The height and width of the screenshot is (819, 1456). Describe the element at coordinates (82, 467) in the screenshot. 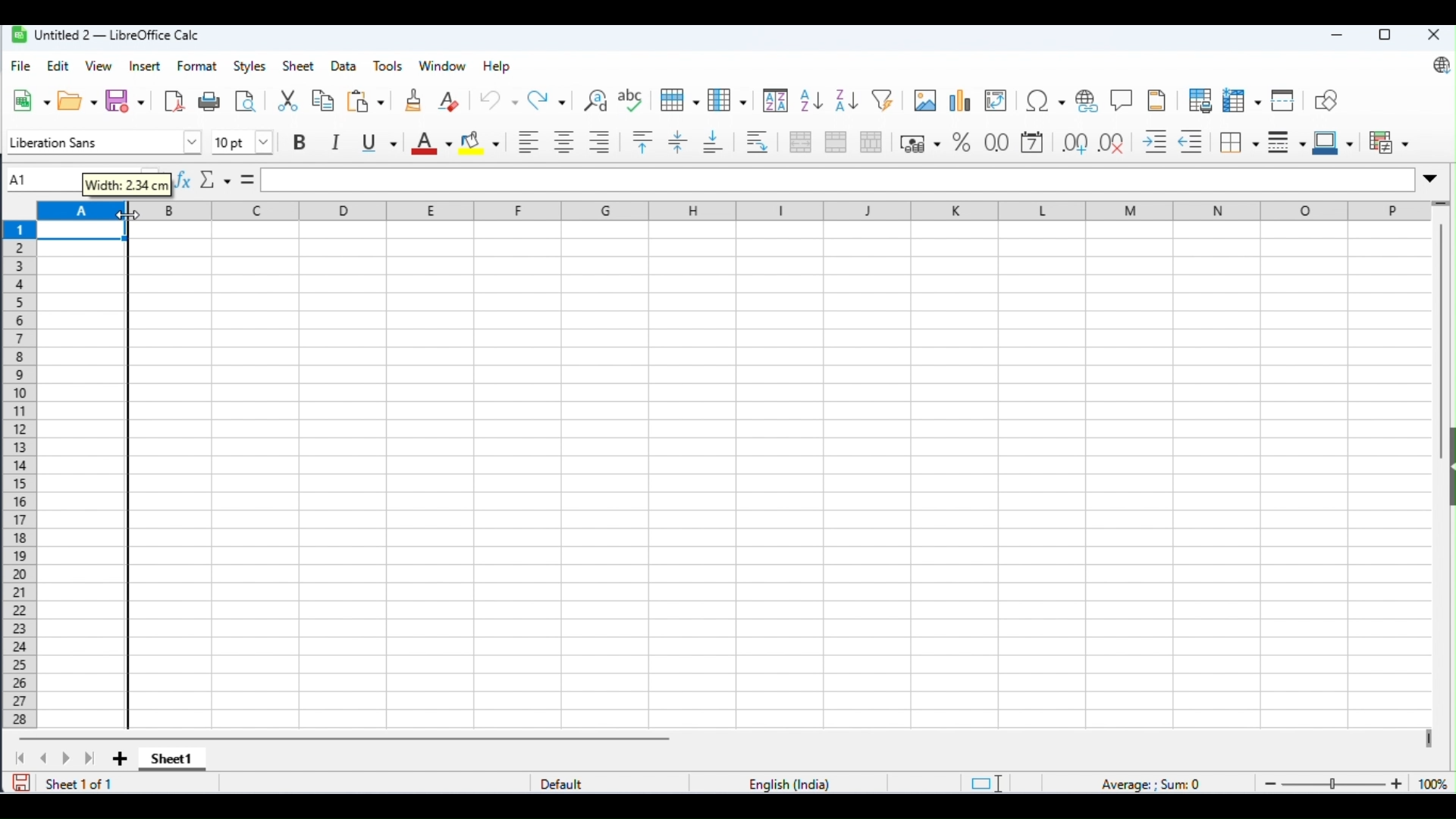

I see `A cell` at that location.